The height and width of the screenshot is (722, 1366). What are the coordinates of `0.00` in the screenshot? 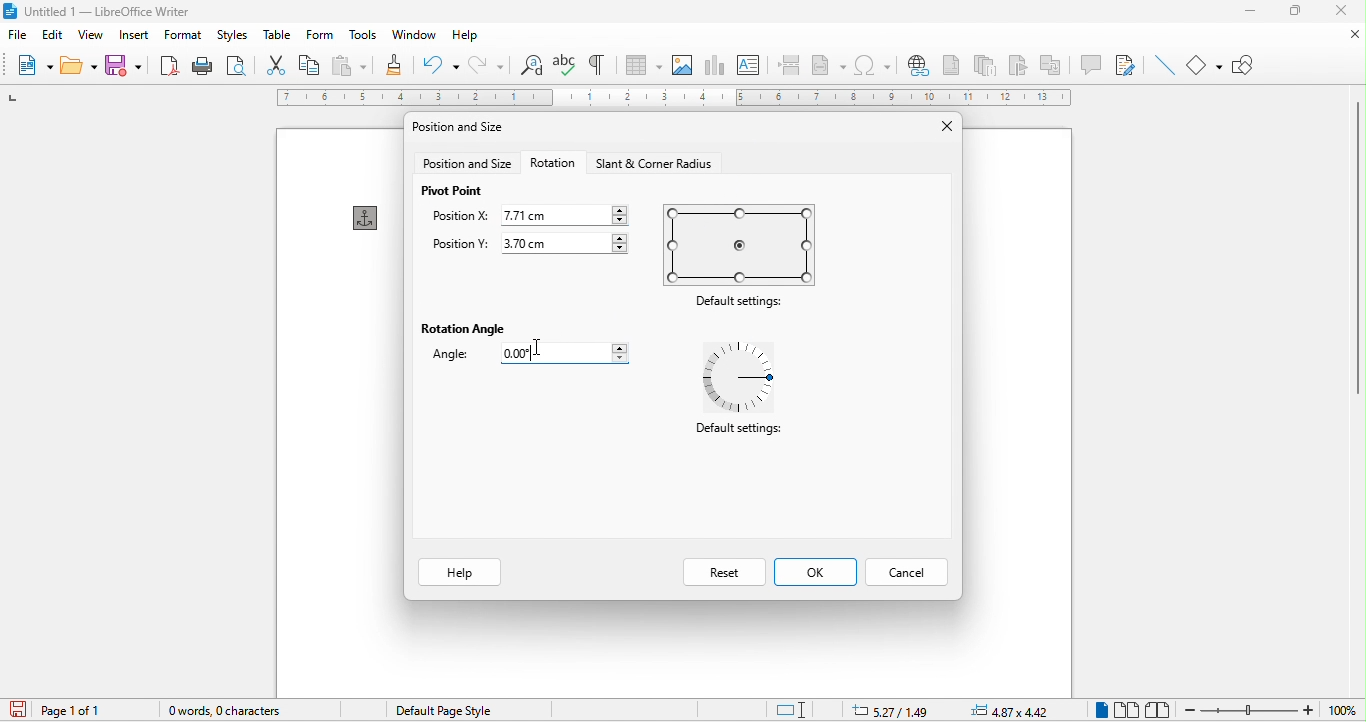 It's located at (570, 355).